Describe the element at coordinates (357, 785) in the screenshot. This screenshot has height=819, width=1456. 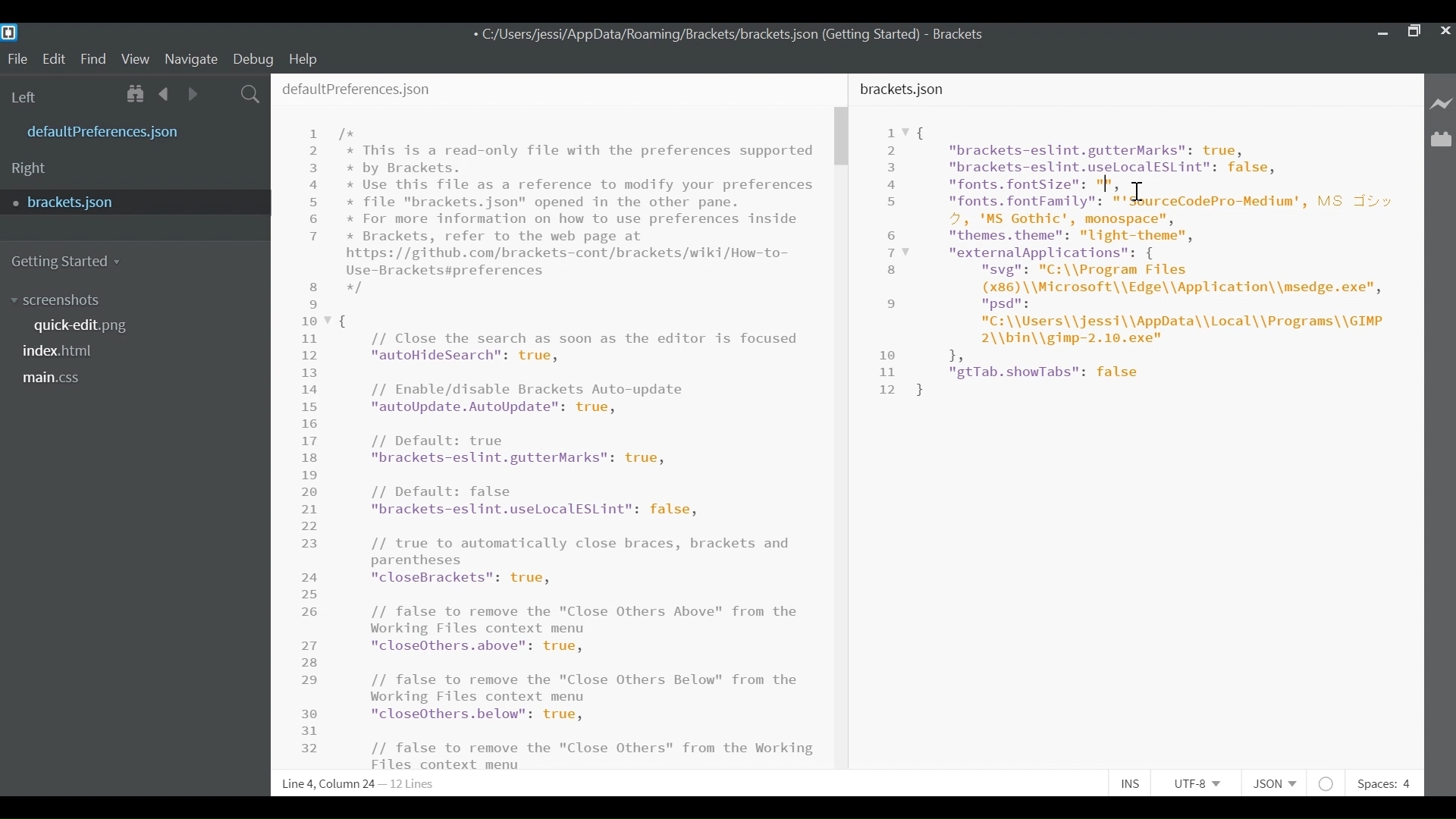
I see `Line 6, Column 18 - 12 Lines` at that location.